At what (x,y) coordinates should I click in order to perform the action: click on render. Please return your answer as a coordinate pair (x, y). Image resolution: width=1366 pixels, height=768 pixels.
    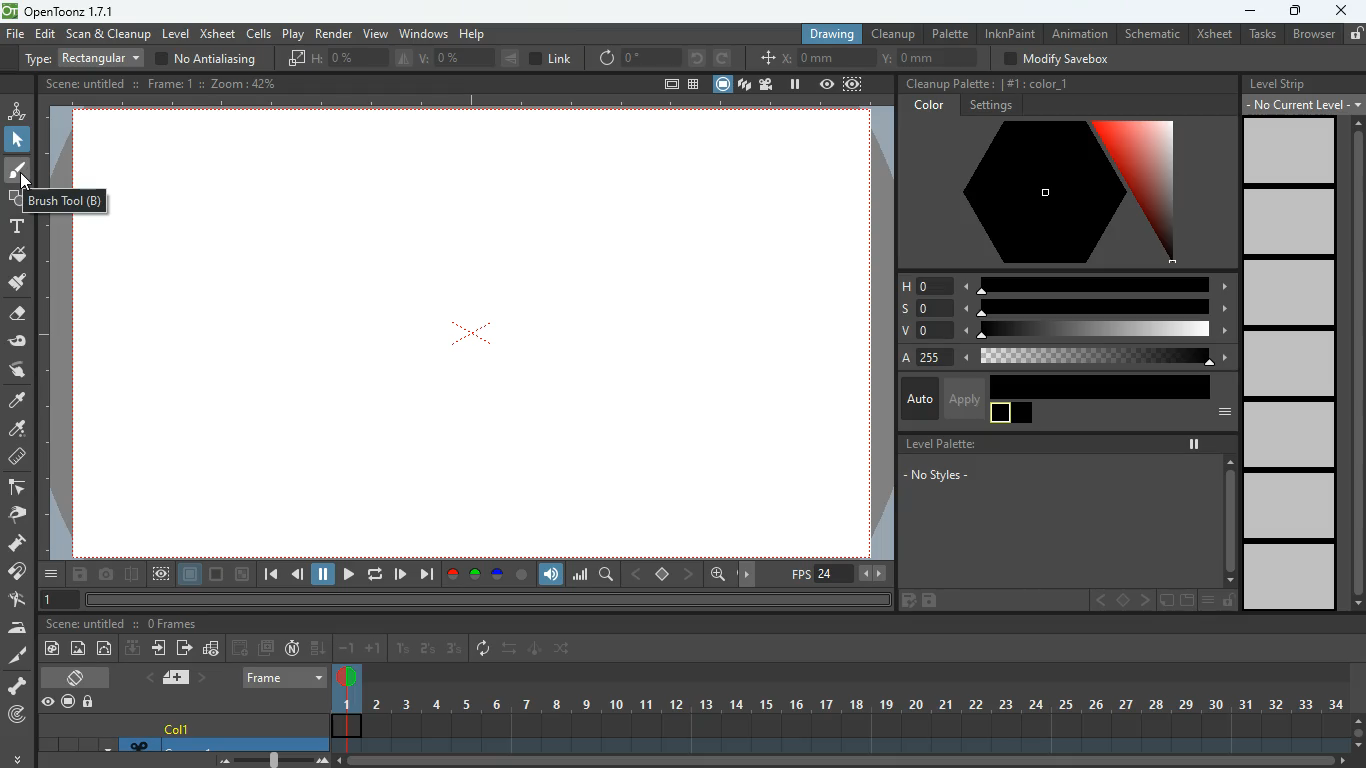
    Looking at the image, I should click on (335, 32).